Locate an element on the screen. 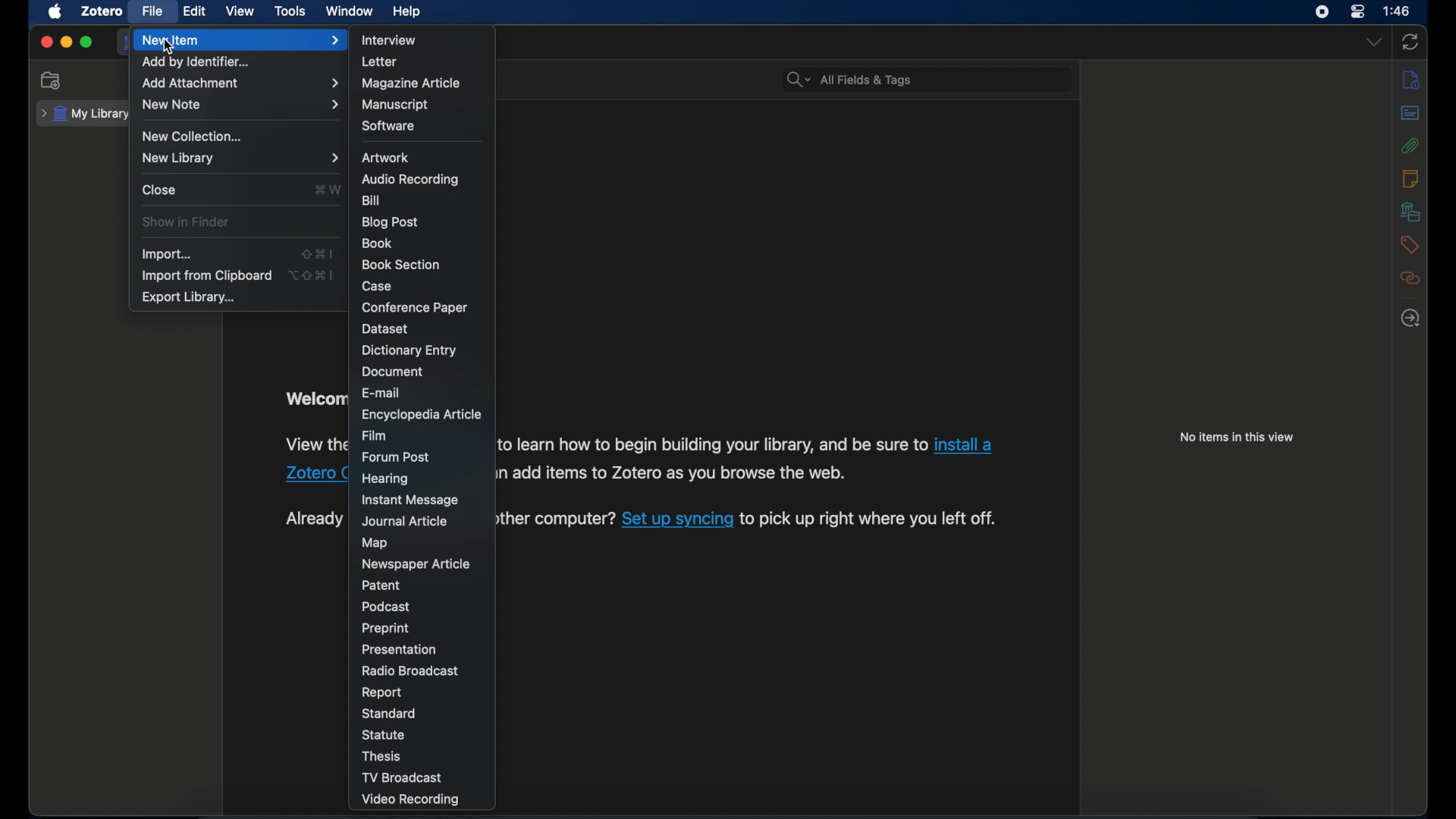 The width and height of the screenshot is (1456, 819). show in finder is located at coordinates (186, 222).